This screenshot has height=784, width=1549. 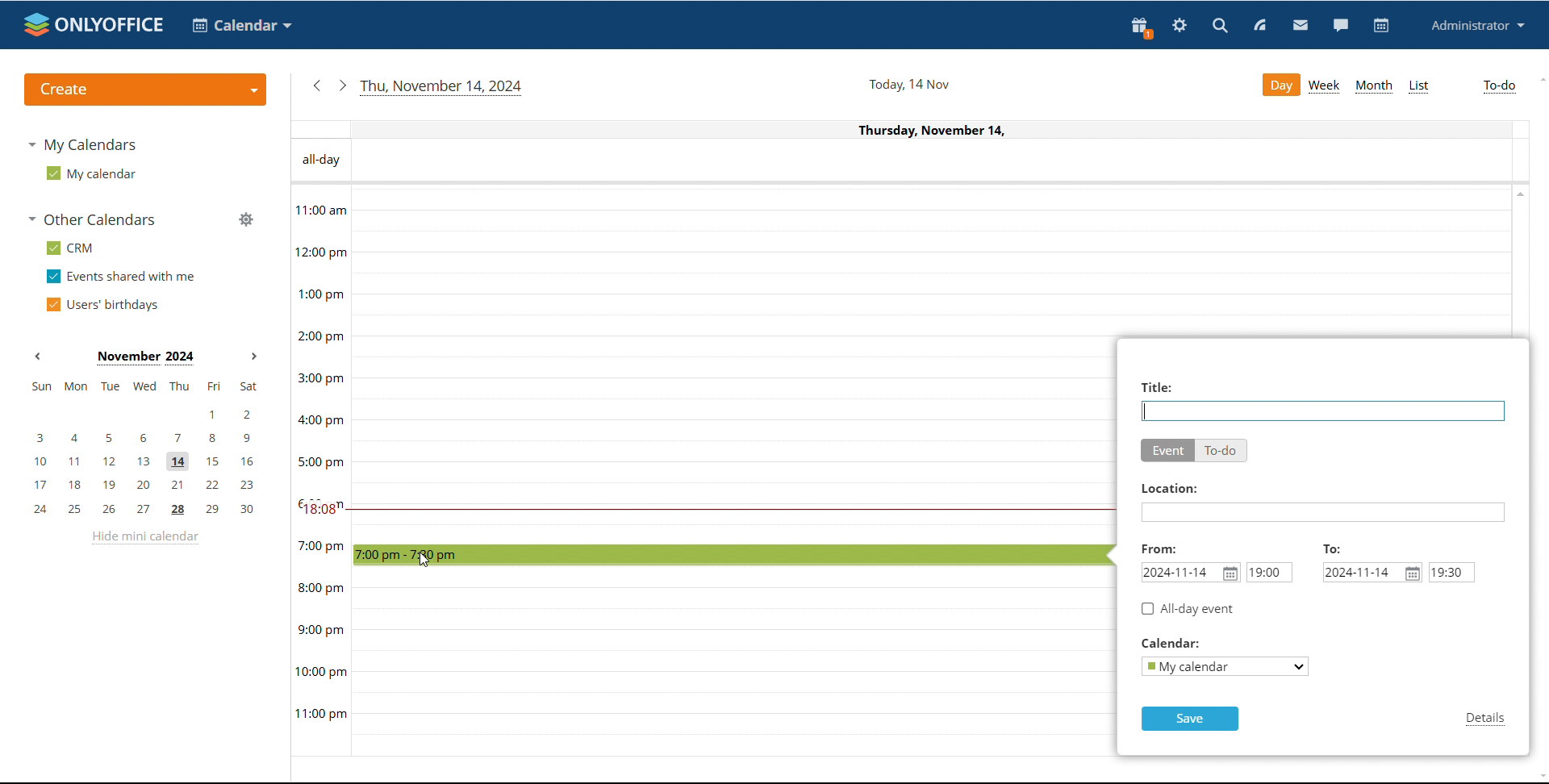 I want to click on month view, so click(x=1373, y=87).